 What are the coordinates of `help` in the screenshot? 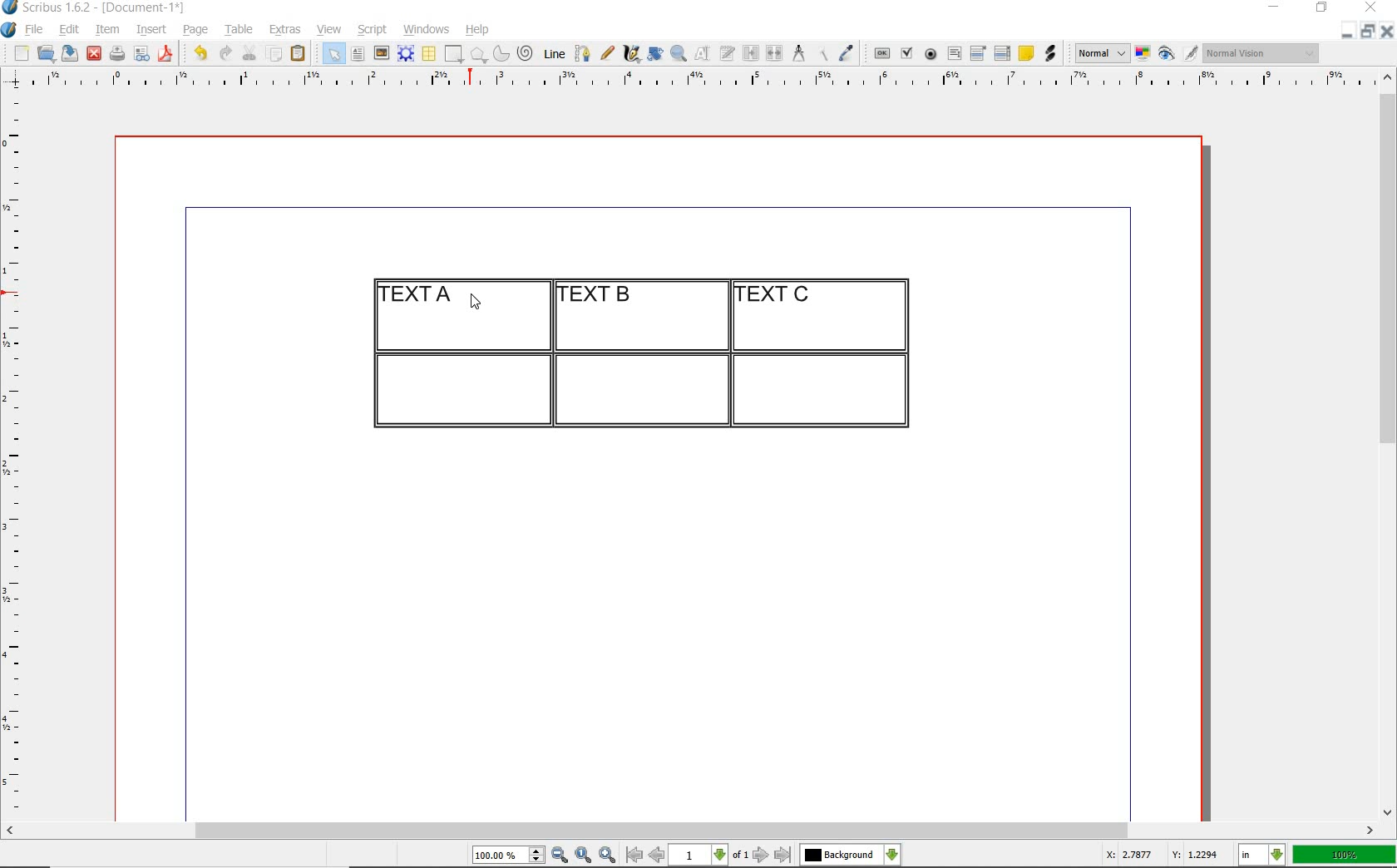 It's located at (476, 31).